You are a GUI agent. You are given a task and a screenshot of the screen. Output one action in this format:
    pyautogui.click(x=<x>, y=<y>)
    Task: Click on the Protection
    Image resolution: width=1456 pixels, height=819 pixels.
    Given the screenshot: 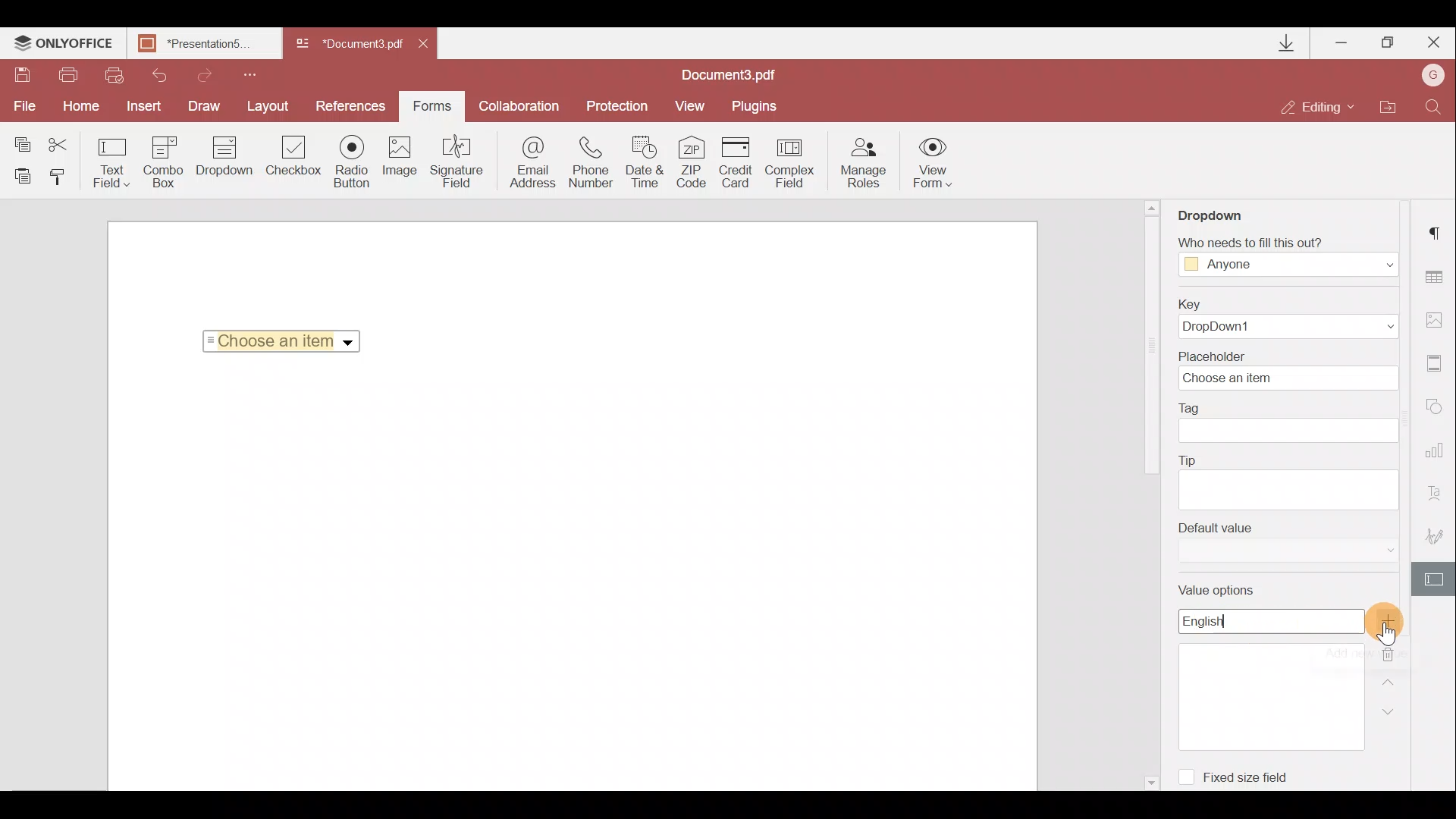 What is the action you would take?
    pyautogui.click(x=615, y=105)
    